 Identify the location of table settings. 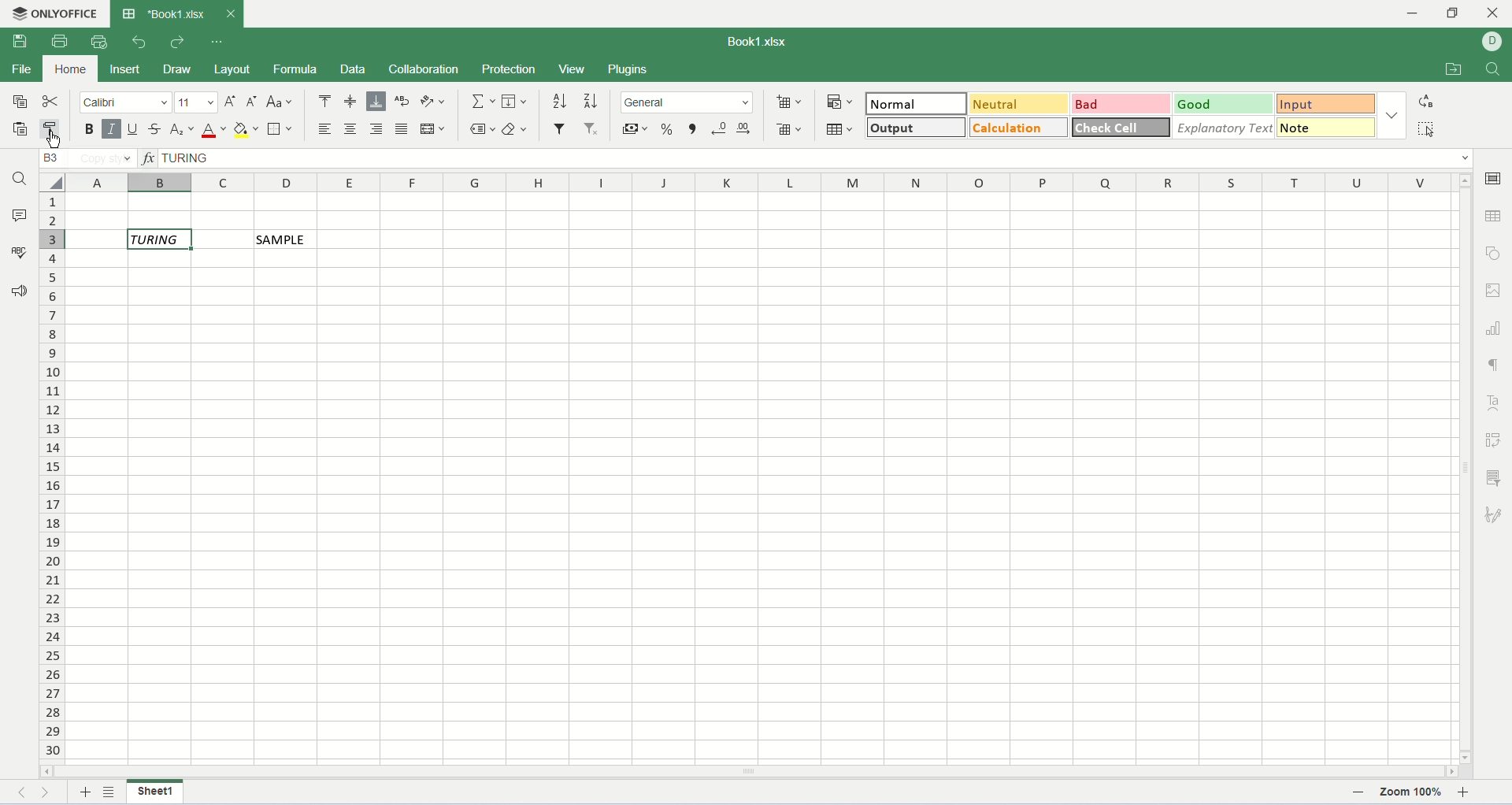
(1495, 217).